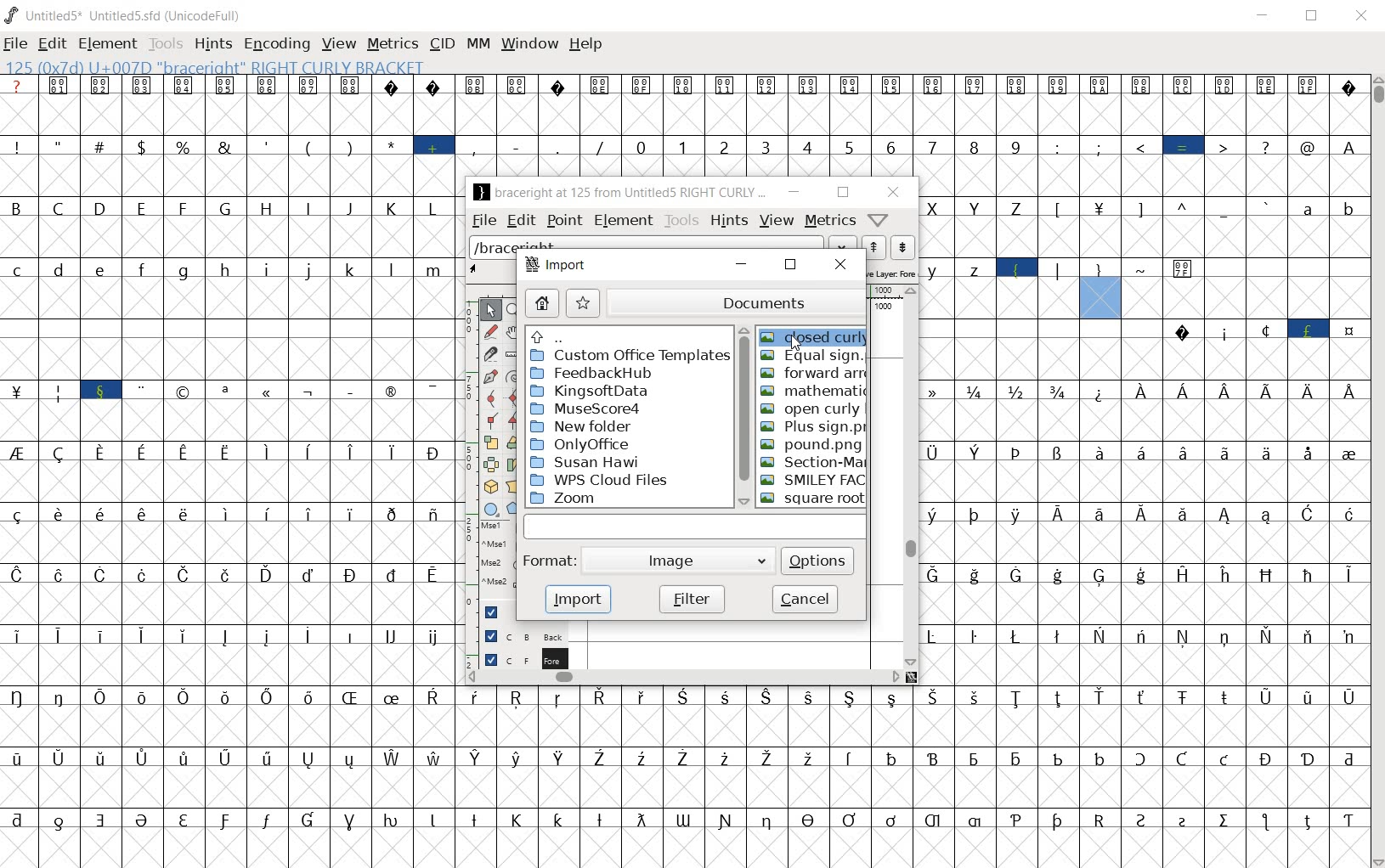 The image size is (1385, 868). What do you see at coordinates (212, 66) in the screenshot?
I see `125 (0X7b) U+007D "braceright" RIGHT CURLY BRACKET` at bounding box center [212, 66].